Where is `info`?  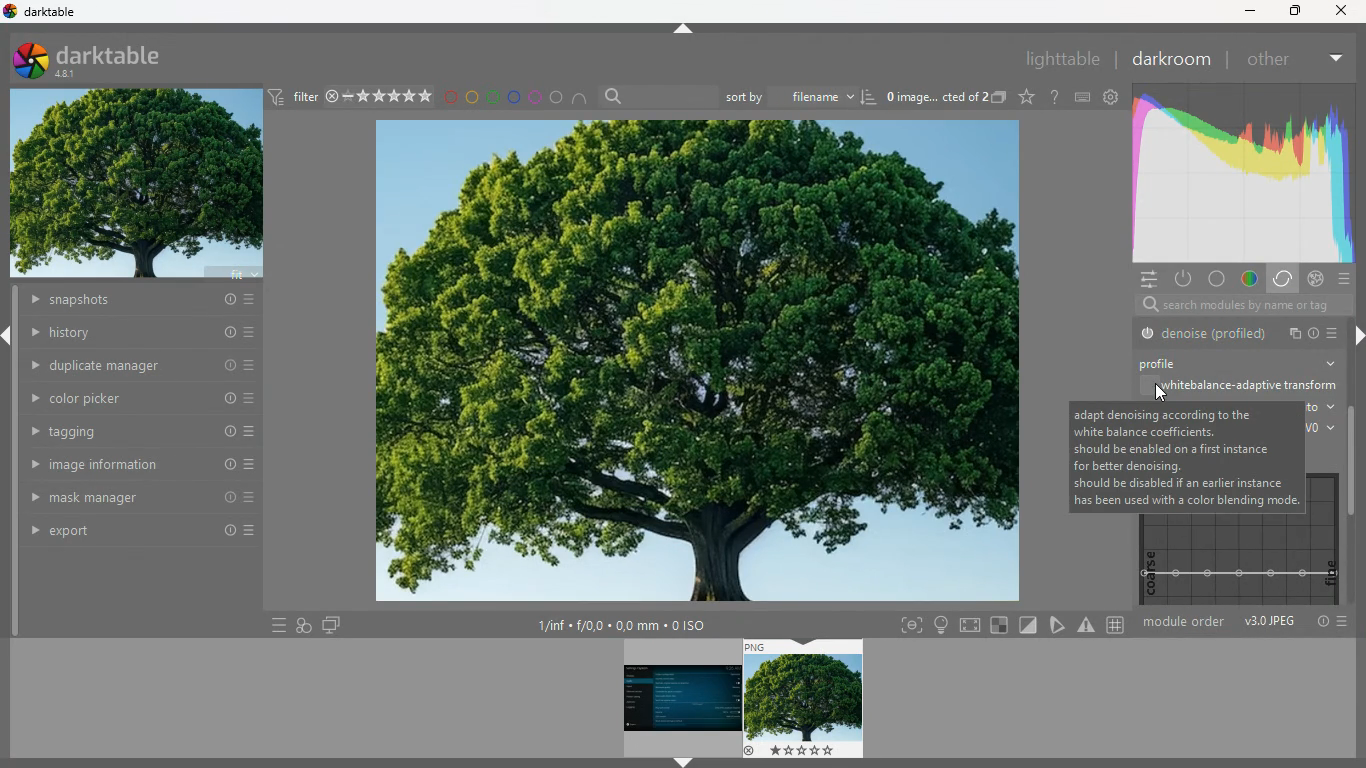
info is located at coordinates (1322, 622).